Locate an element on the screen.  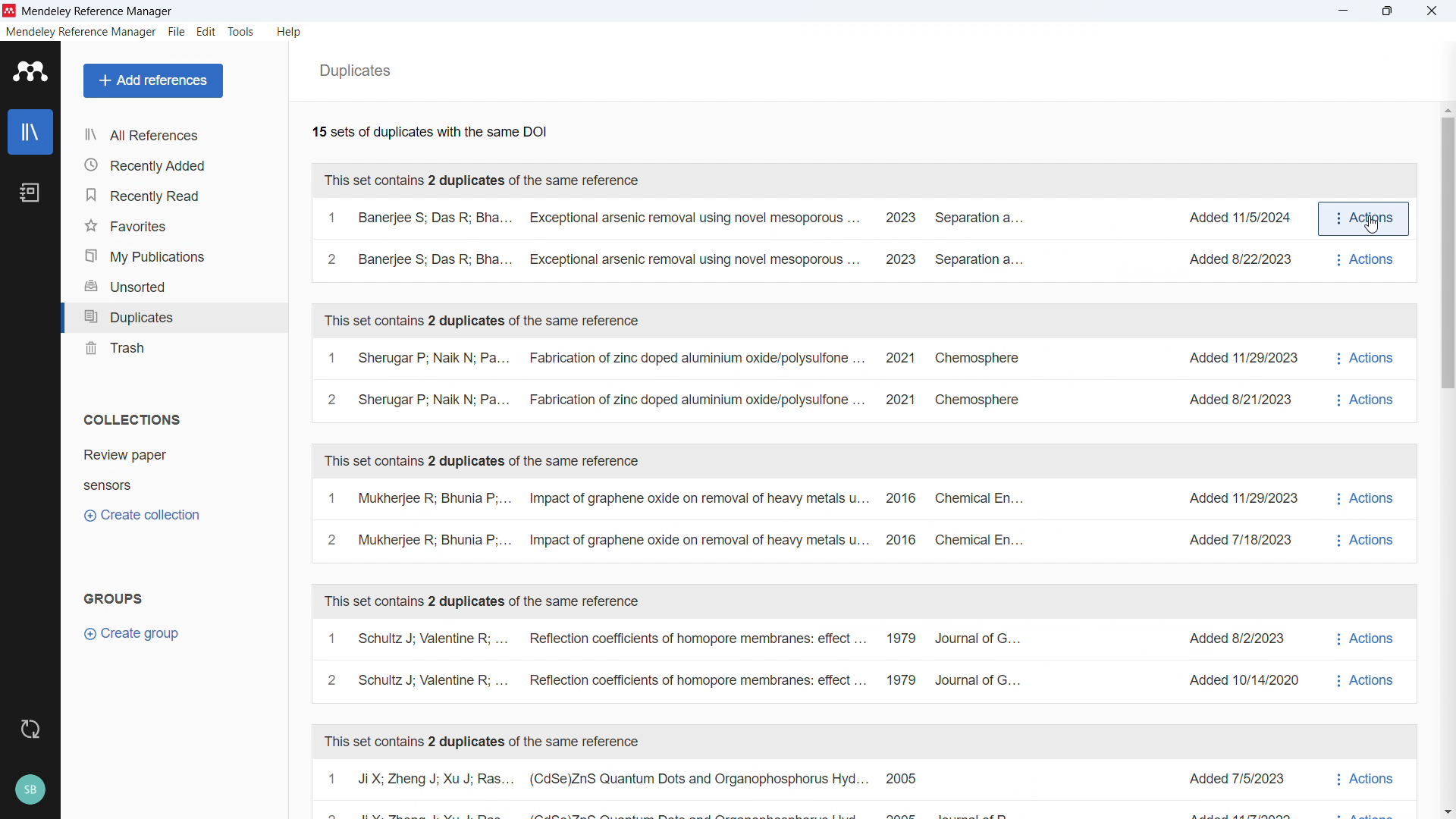
logo is located at coordinates (30, 71).